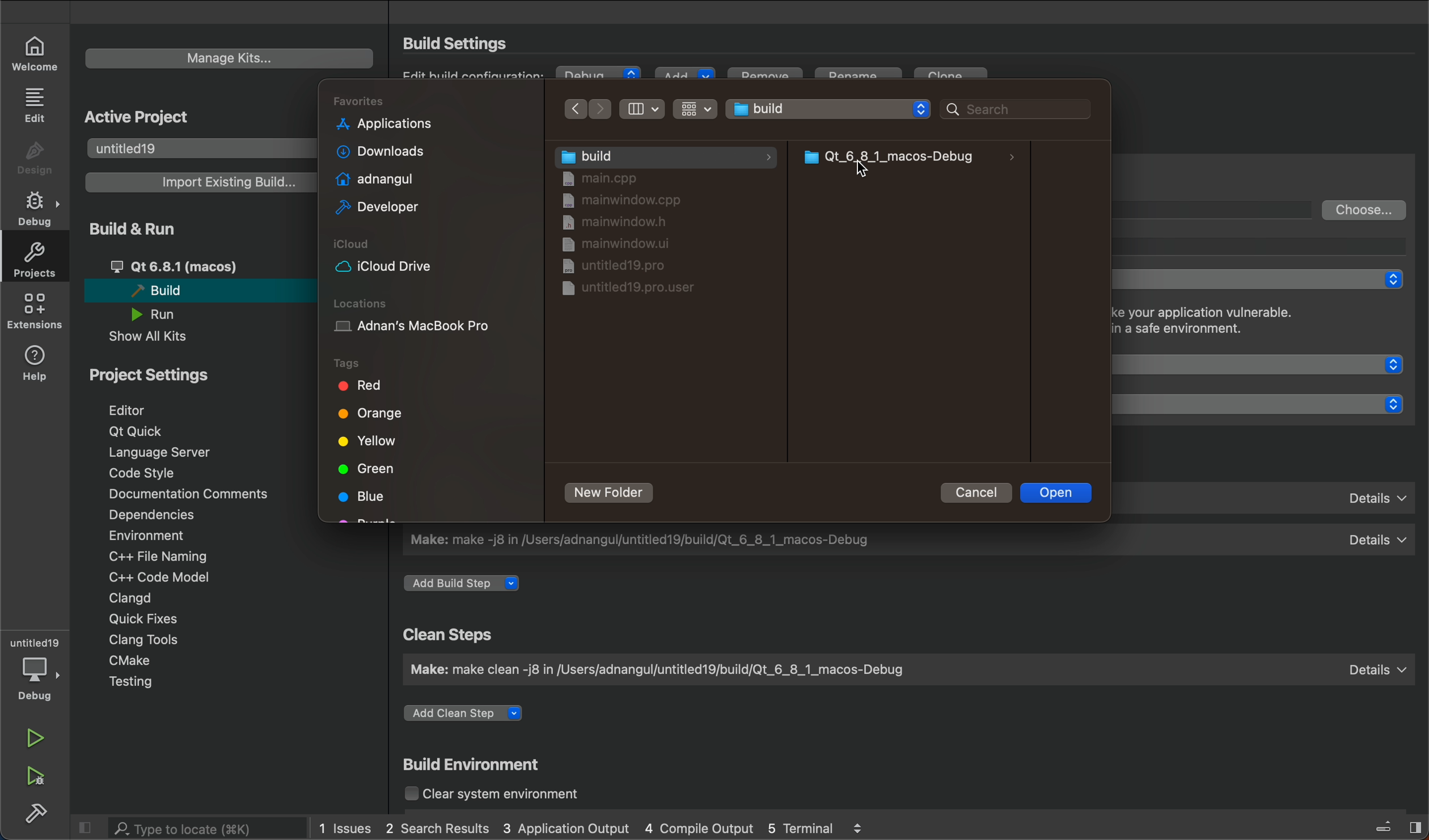 This screenshot has width=1429, height=840. Describe the element at coordinates (359, 386) in the screenshot. I see `red` at that location.